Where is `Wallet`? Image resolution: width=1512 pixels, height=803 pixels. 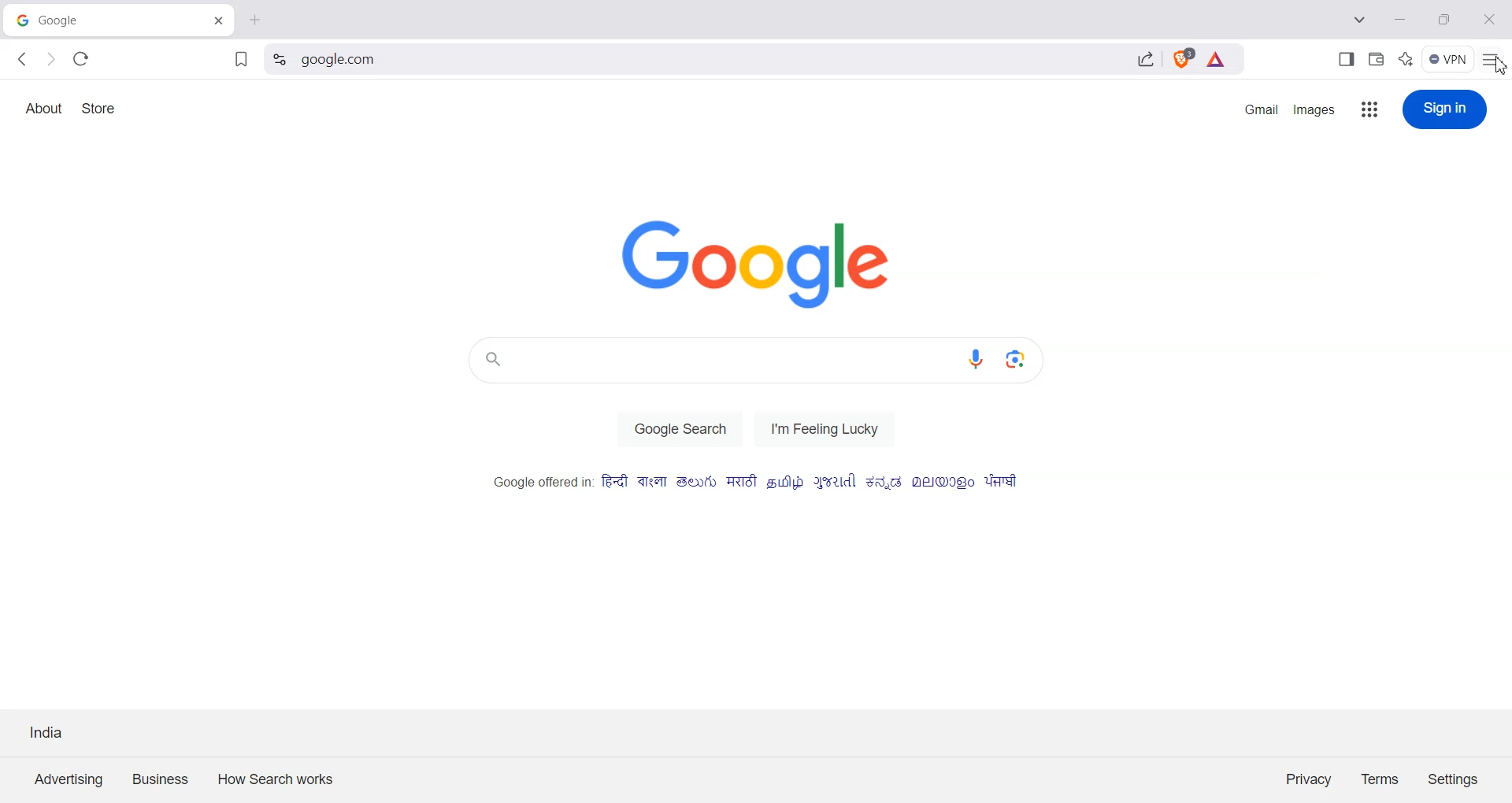
Wallet is located at coordinates (1377, 57).